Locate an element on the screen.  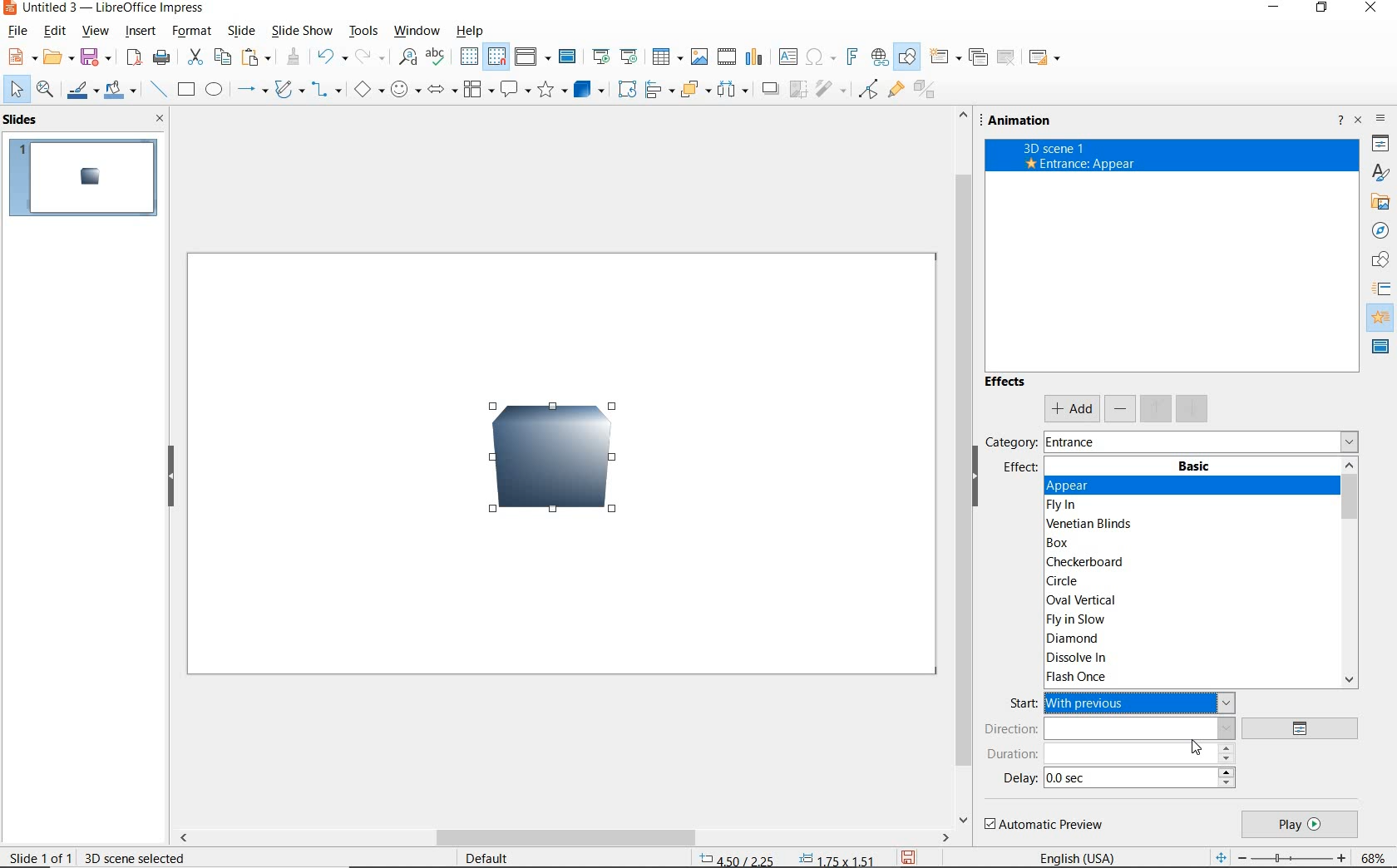
find & replace is located at coordinates (407, 57).